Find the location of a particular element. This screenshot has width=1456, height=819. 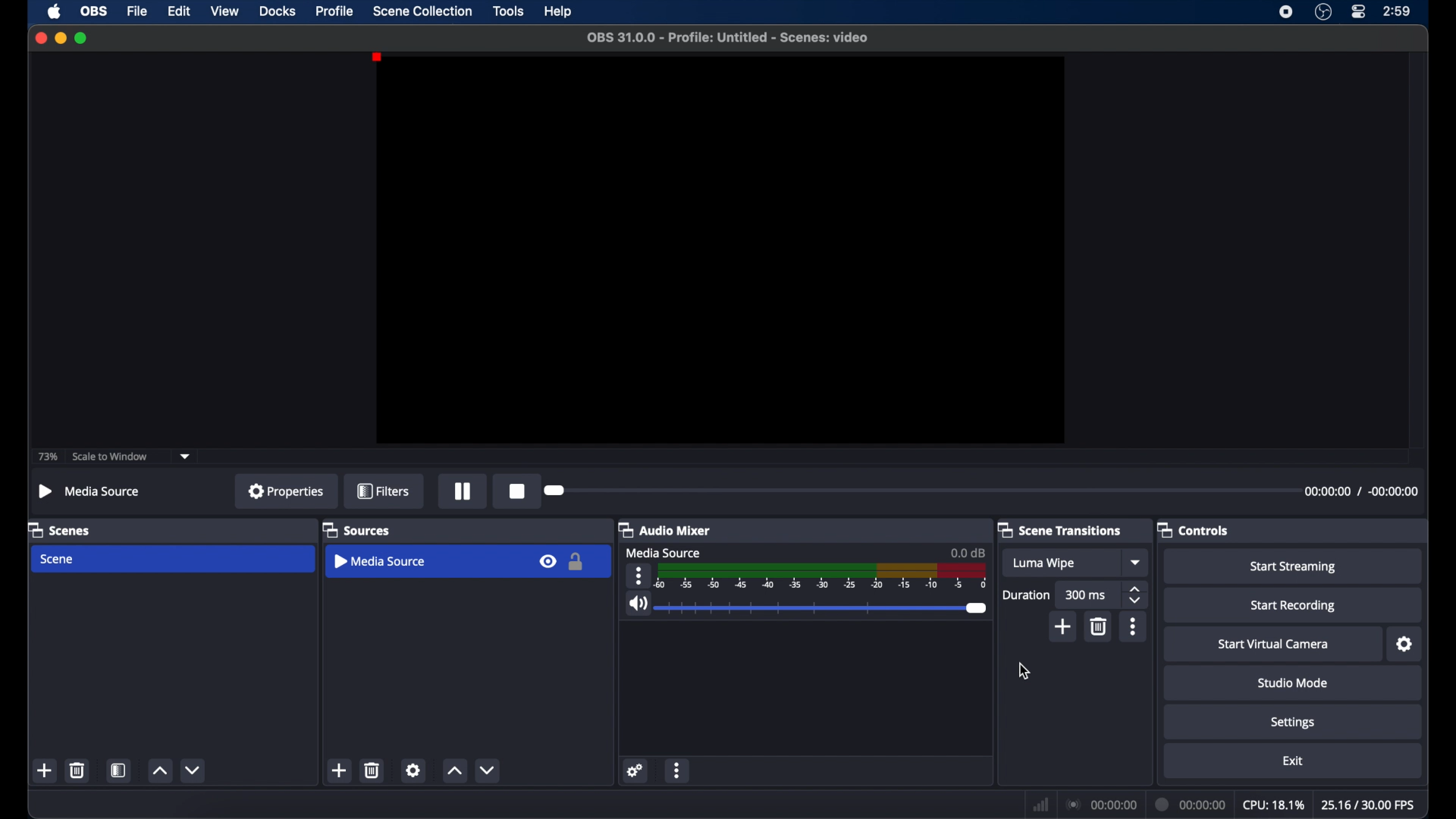

more options is located at coordinates (677, 770).